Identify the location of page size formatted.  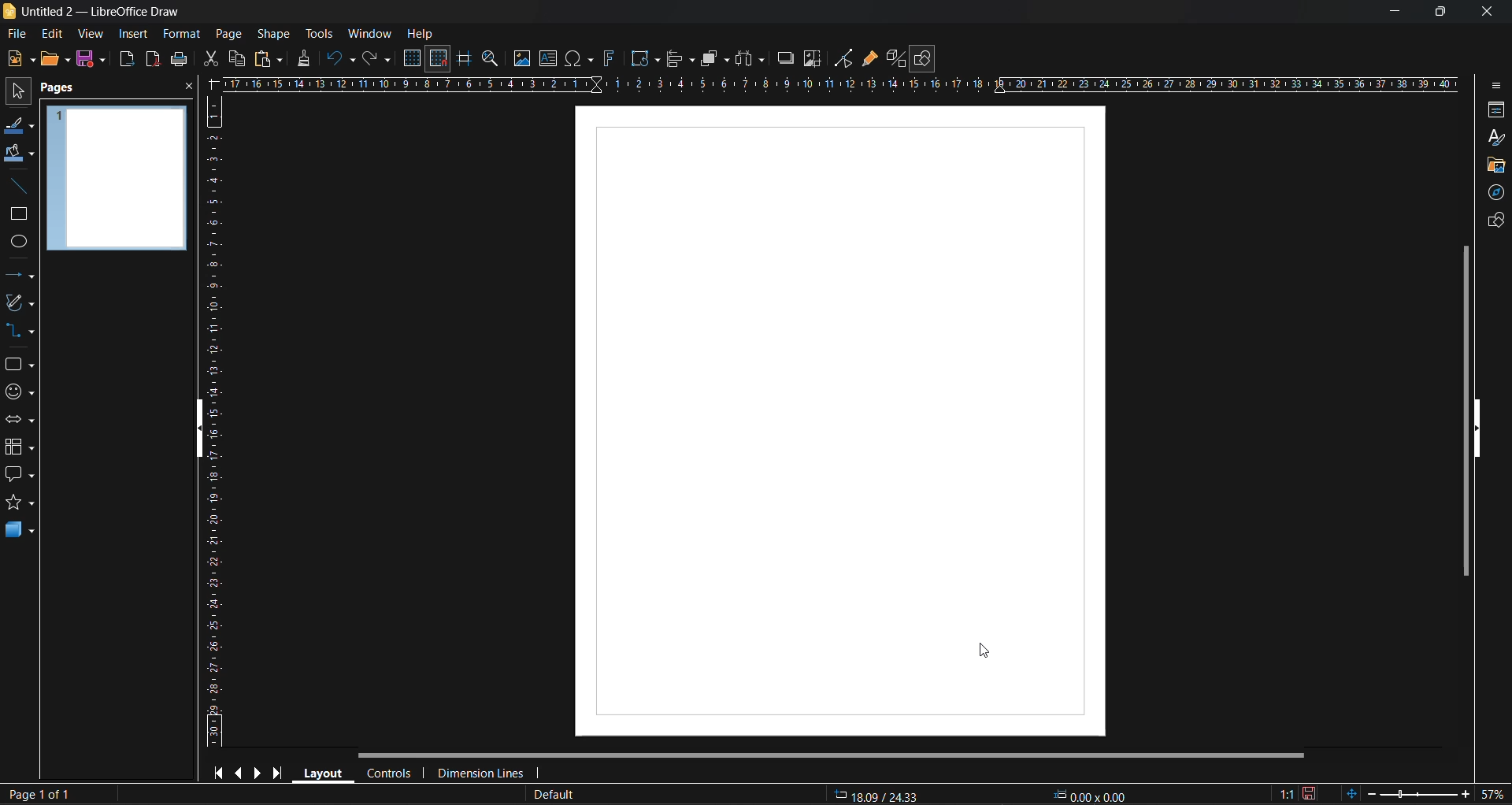
(839, 420).